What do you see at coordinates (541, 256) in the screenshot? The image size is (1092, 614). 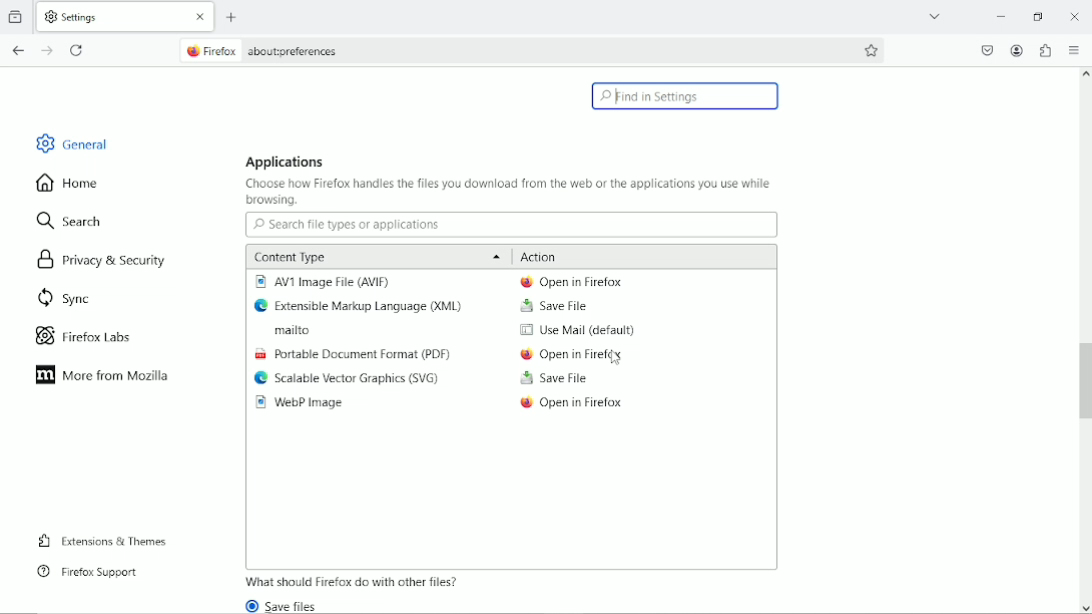 I see `Action` at bounding box center [541, 256].